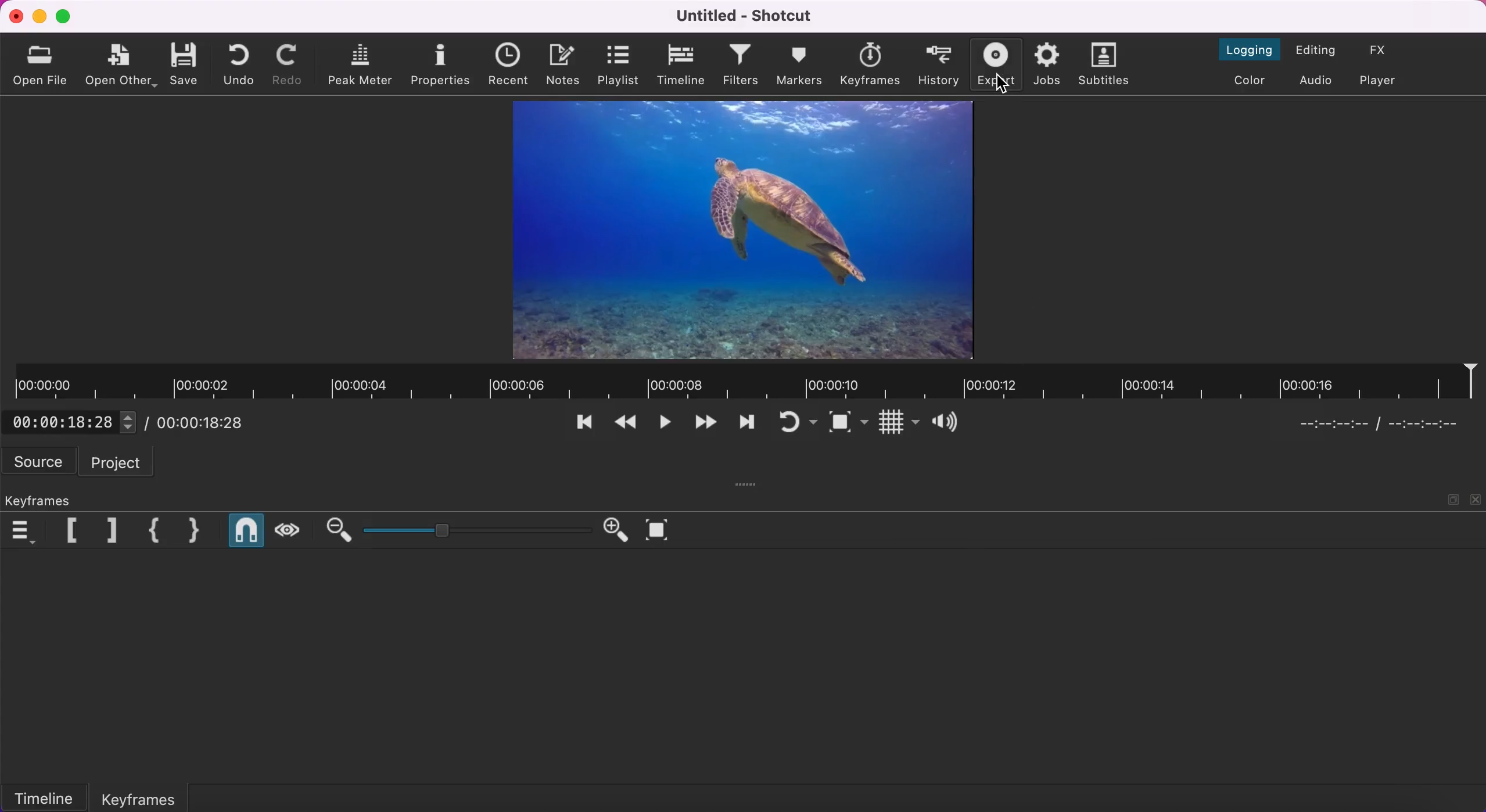 The image size is (1486, 812). Describe the element at coordinates (898, 422) in the screenshot. I see `toggle grid display on the player` at that location.